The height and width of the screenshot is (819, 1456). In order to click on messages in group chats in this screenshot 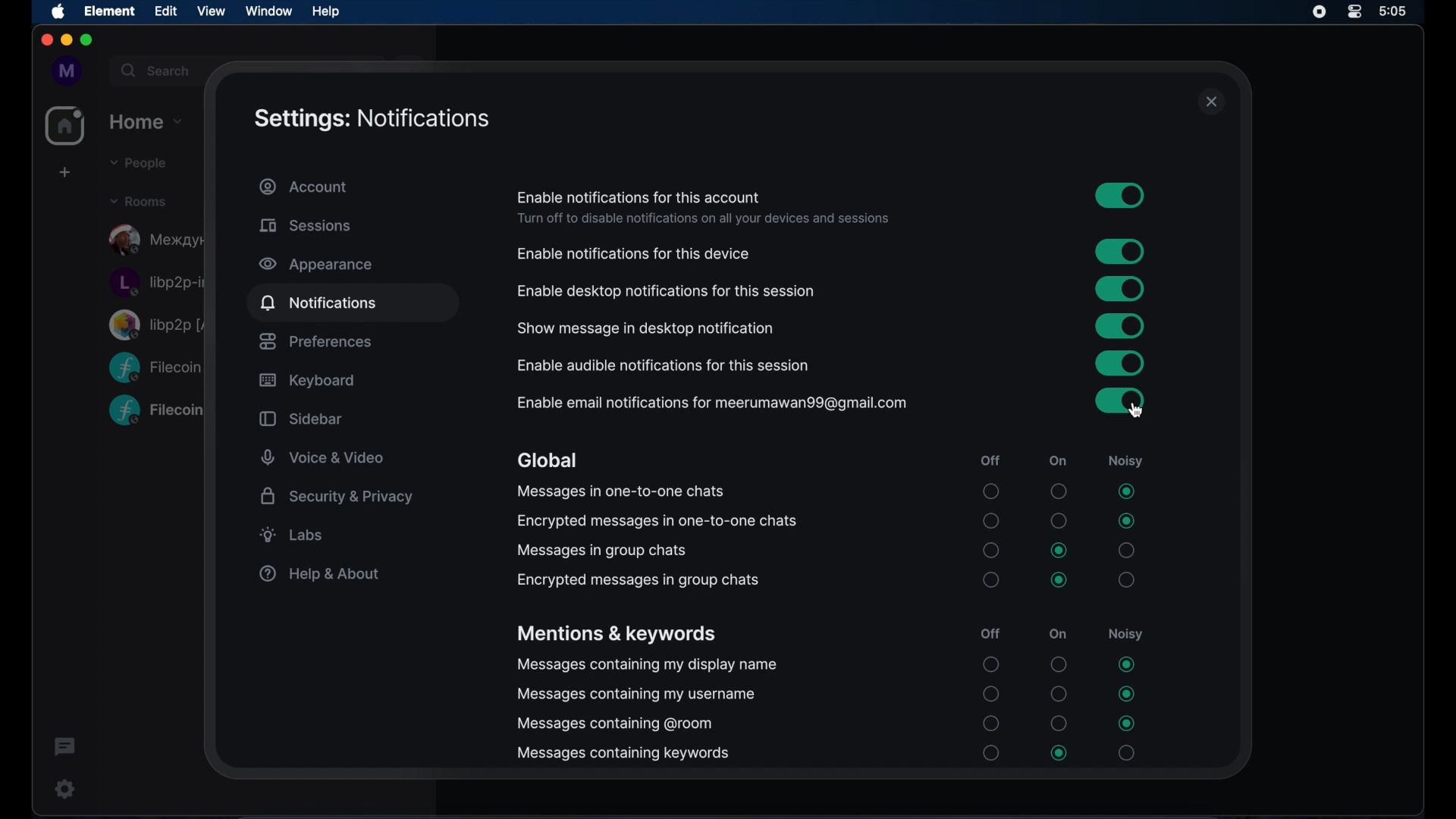, I will do `click(600, 551)`.